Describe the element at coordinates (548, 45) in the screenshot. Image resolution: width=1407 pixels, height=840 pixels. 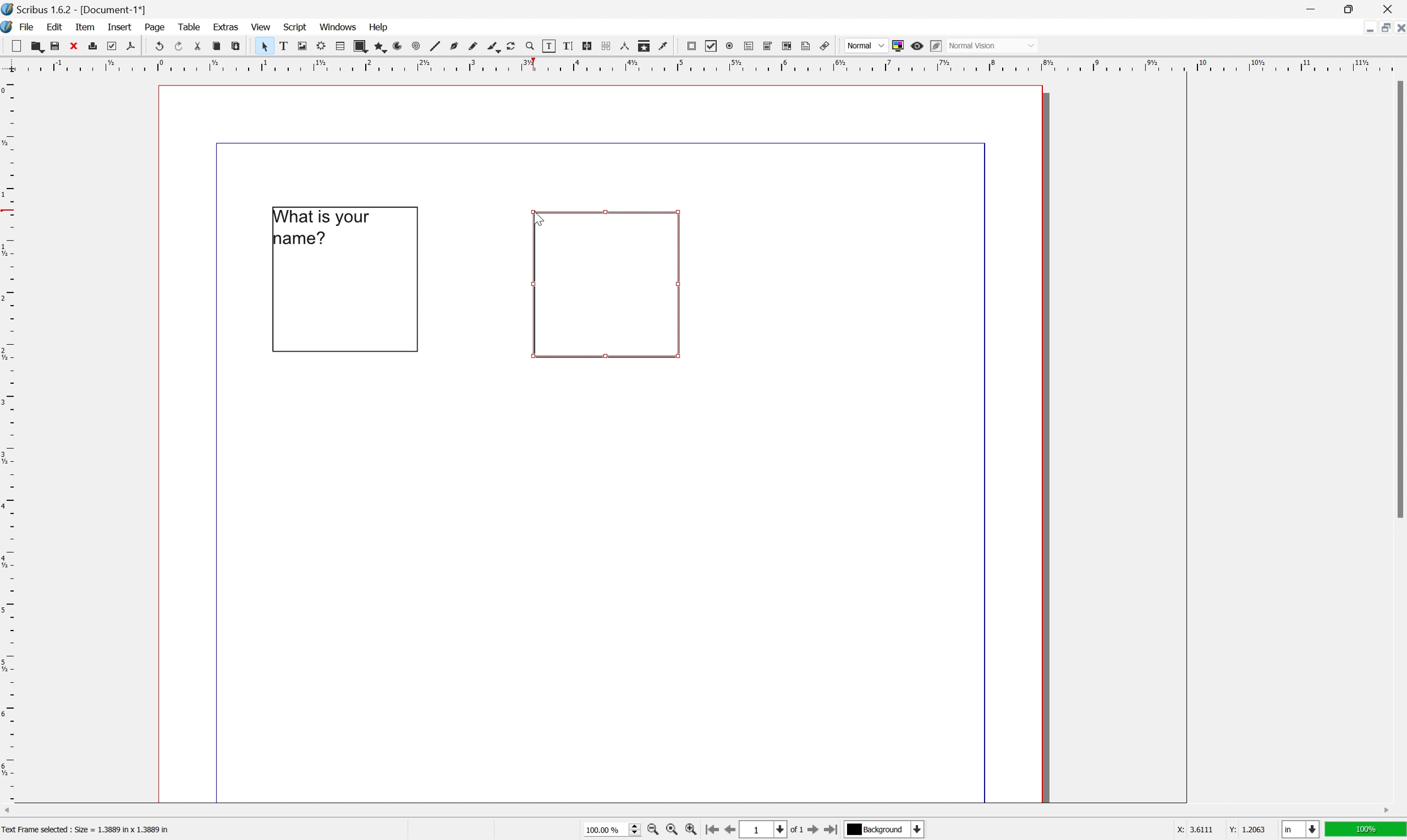
I see `edit contents of frame` at that location.